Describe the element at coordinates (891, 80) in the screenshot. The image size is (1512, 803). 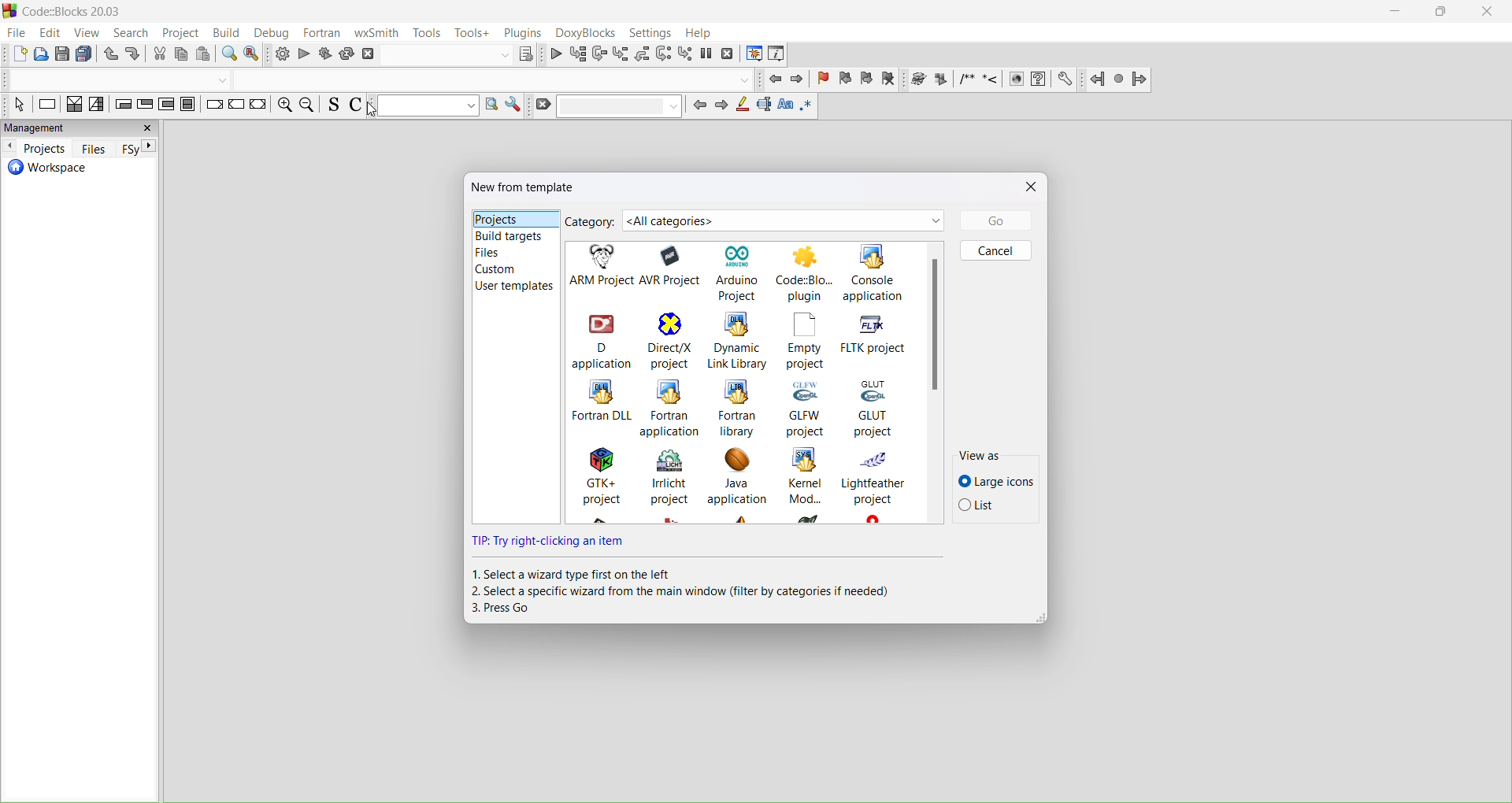
I see `clear bookmark` at that location.